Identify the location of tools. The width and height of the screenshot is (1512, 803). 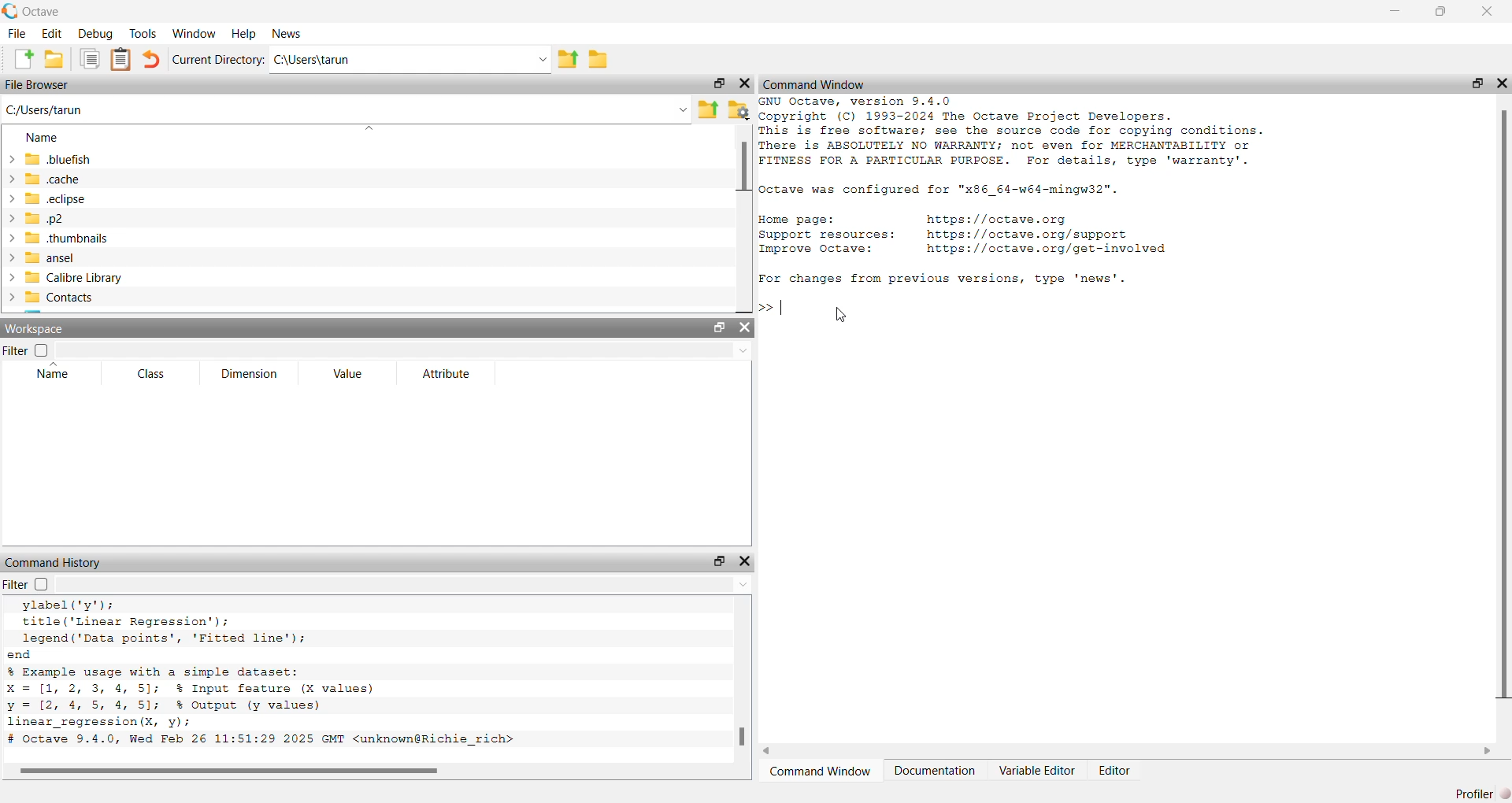
(142, 32).